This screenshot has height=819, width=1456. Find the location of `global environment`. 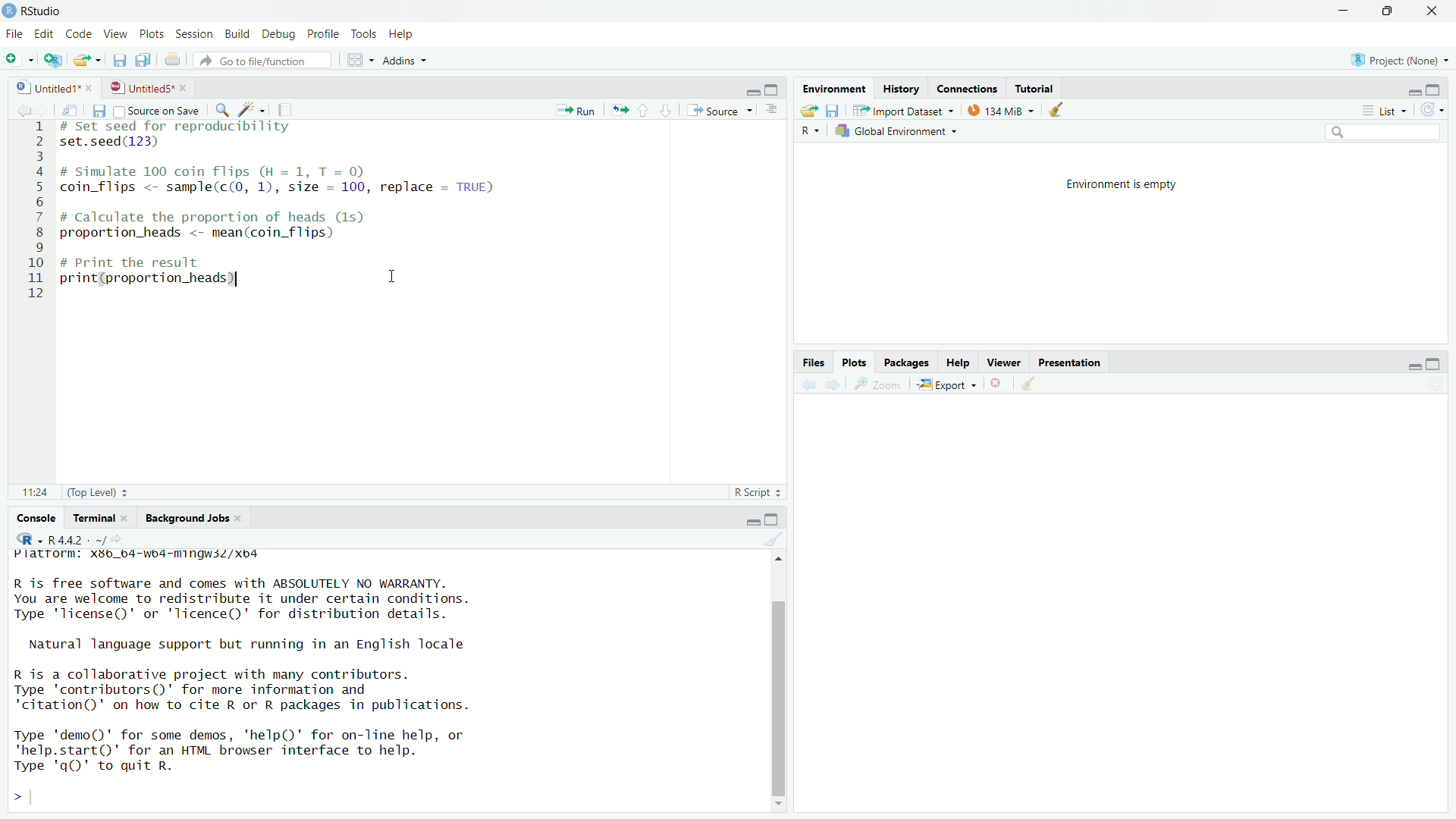

global environment is located at coordinates (896, 130).